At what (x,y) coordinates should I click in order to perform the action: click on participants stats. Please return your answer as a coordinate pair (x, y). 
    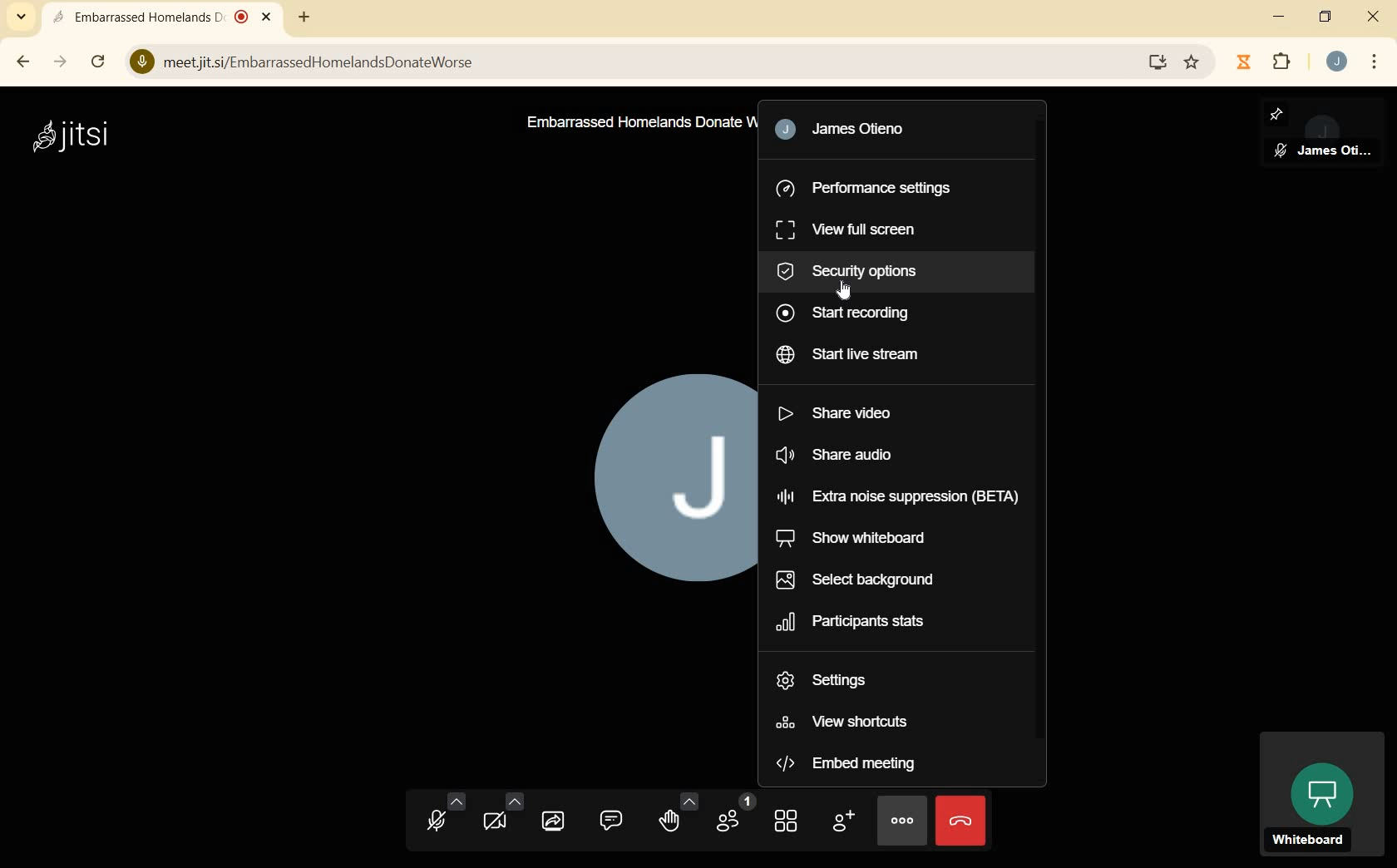
    Looking at the image, I should click on (852, 622).